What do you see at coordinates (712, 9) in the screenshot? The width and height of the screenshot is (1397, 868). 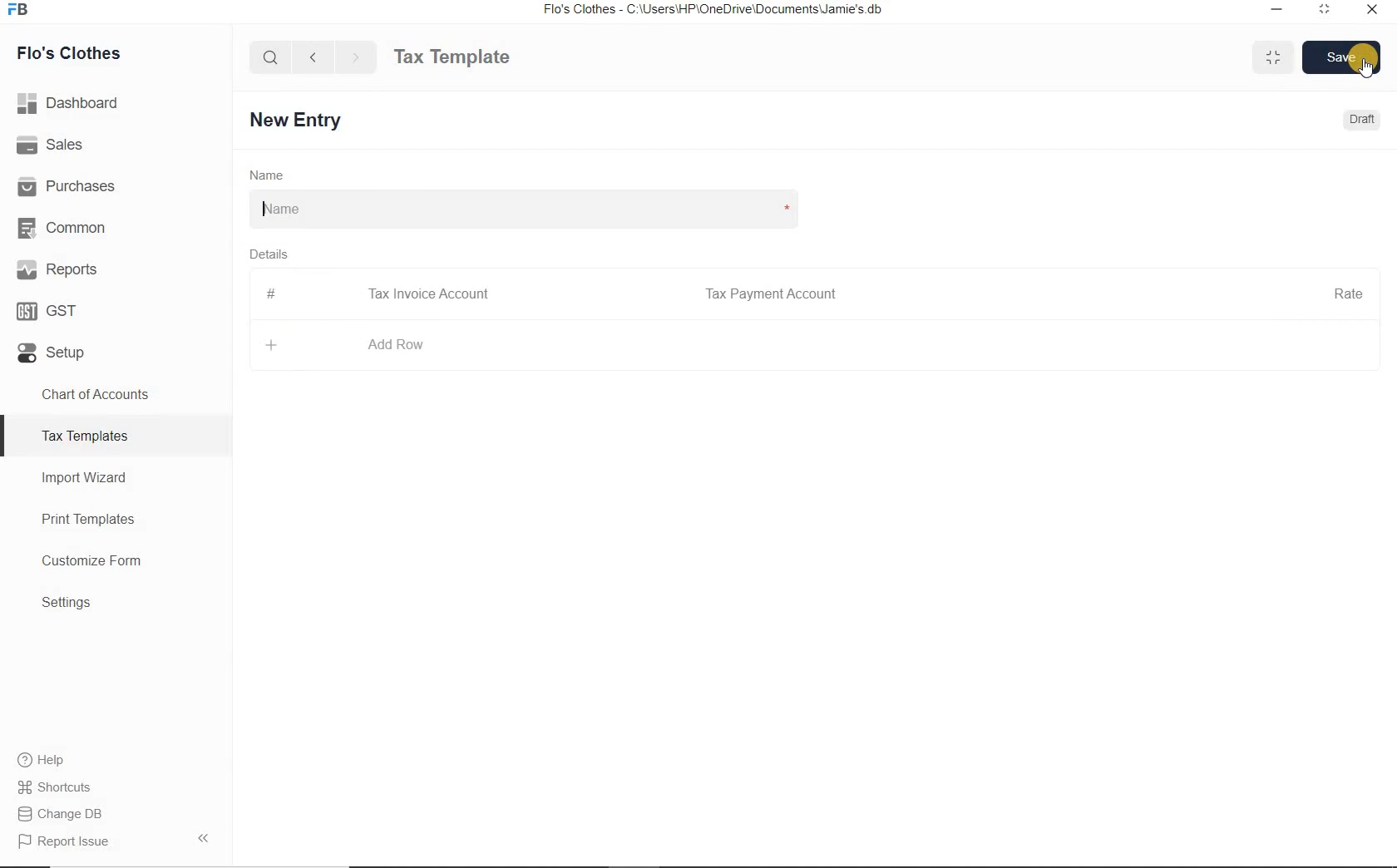 I see `Flo's Clothes - C:\Users\HP\OneDrive\Documents\Jamie's db` at bounding box center [712, 9].